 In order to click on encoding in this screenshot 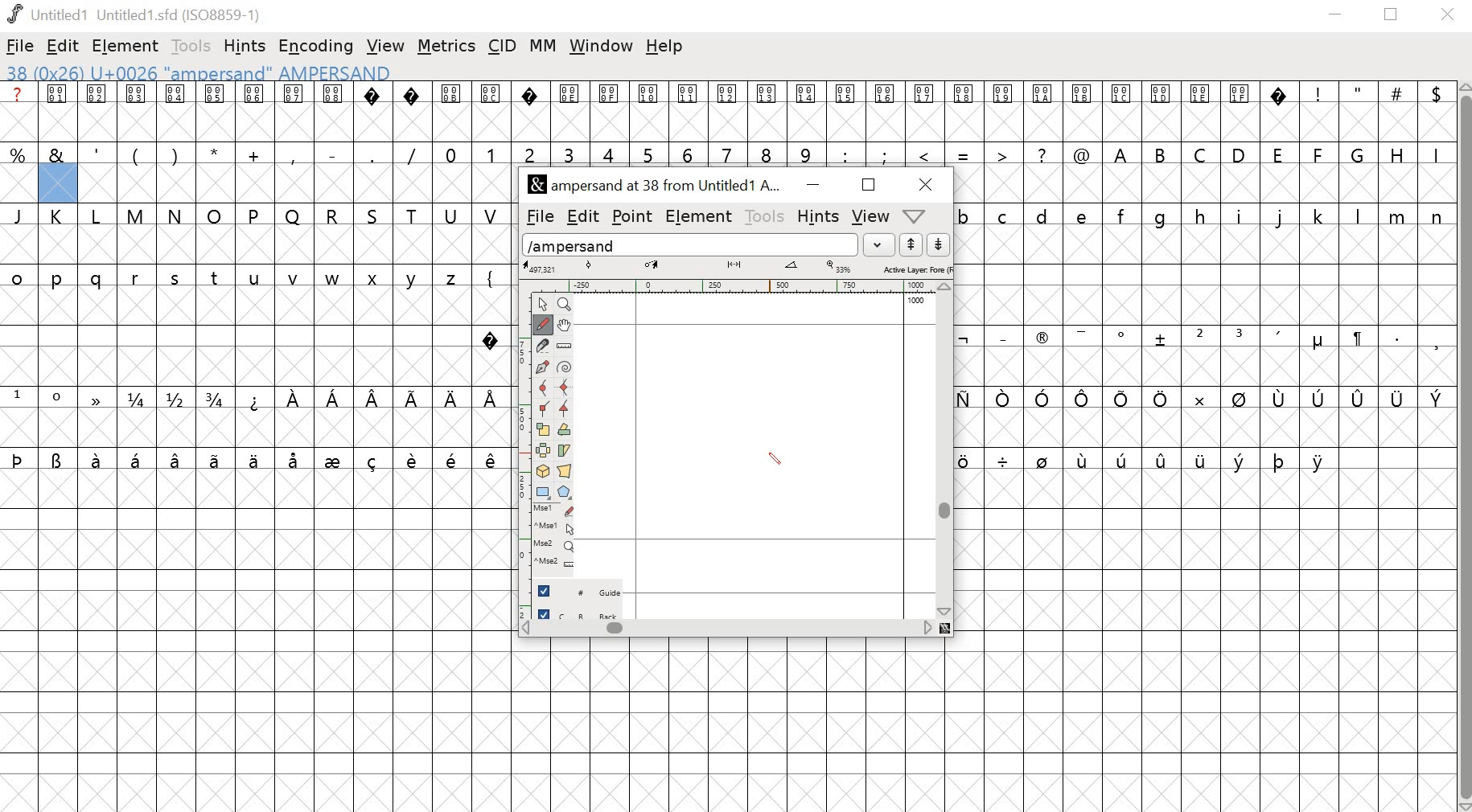, I will do `click(315, 47)`.